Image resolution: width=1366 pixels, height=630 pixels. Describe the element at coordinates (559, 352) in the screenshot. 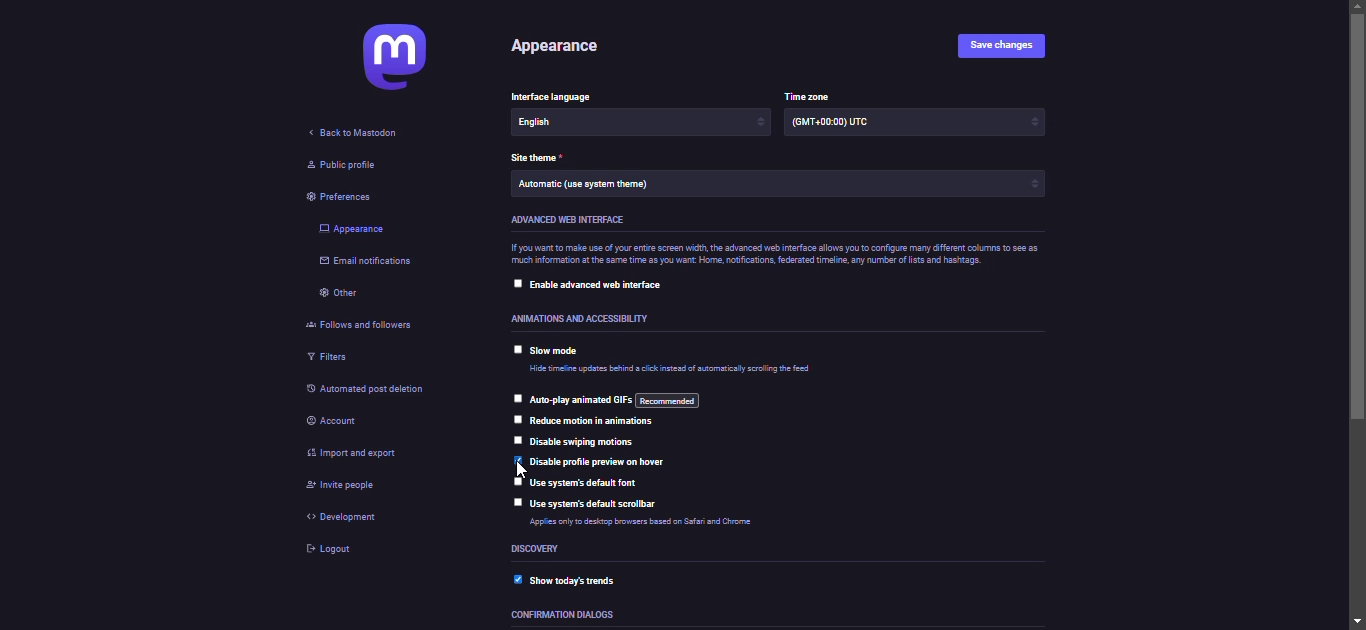

I see `slow mode` at that location.